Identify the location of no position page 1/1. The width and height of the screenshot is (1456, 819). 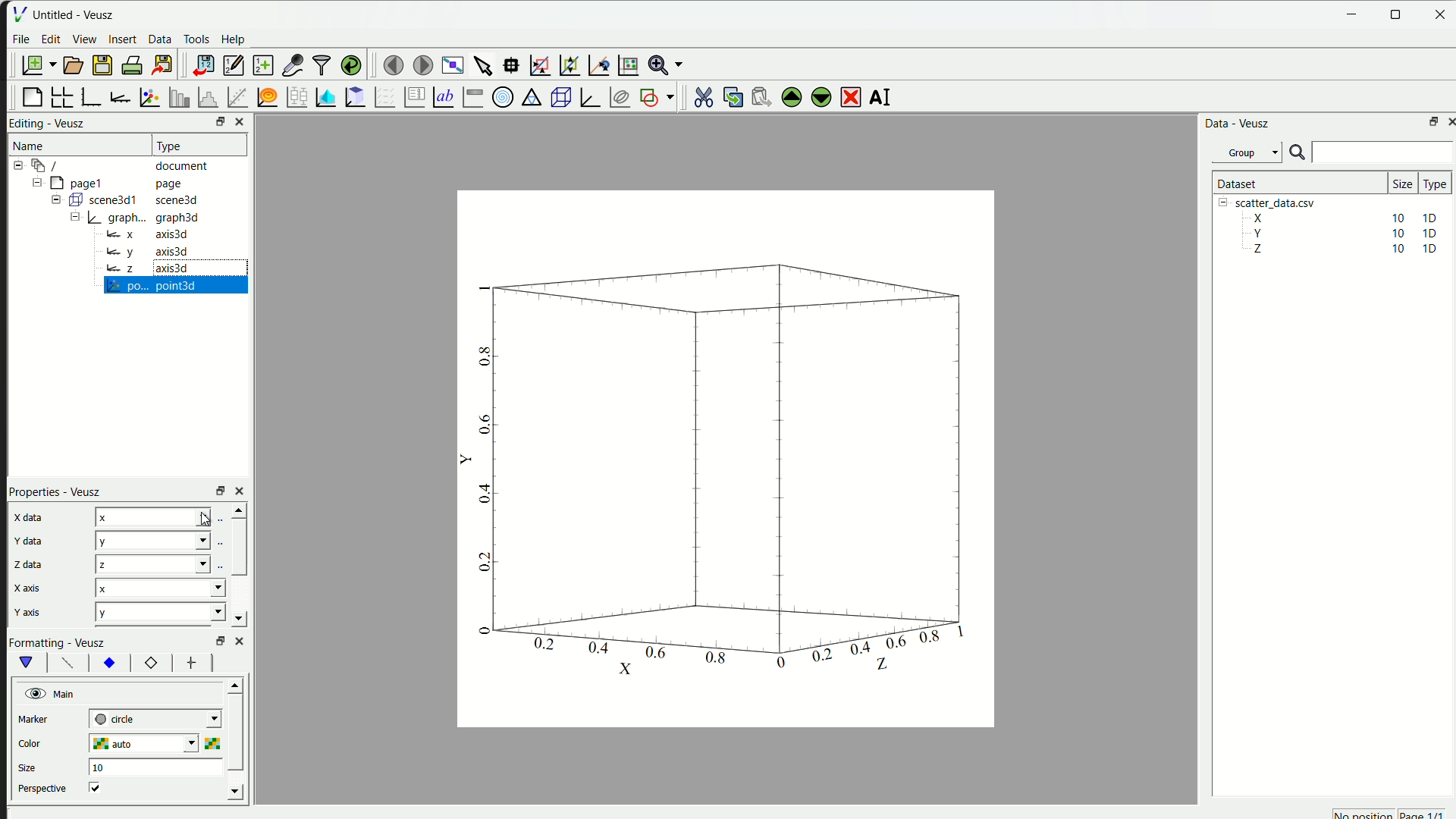
(1393, 812).